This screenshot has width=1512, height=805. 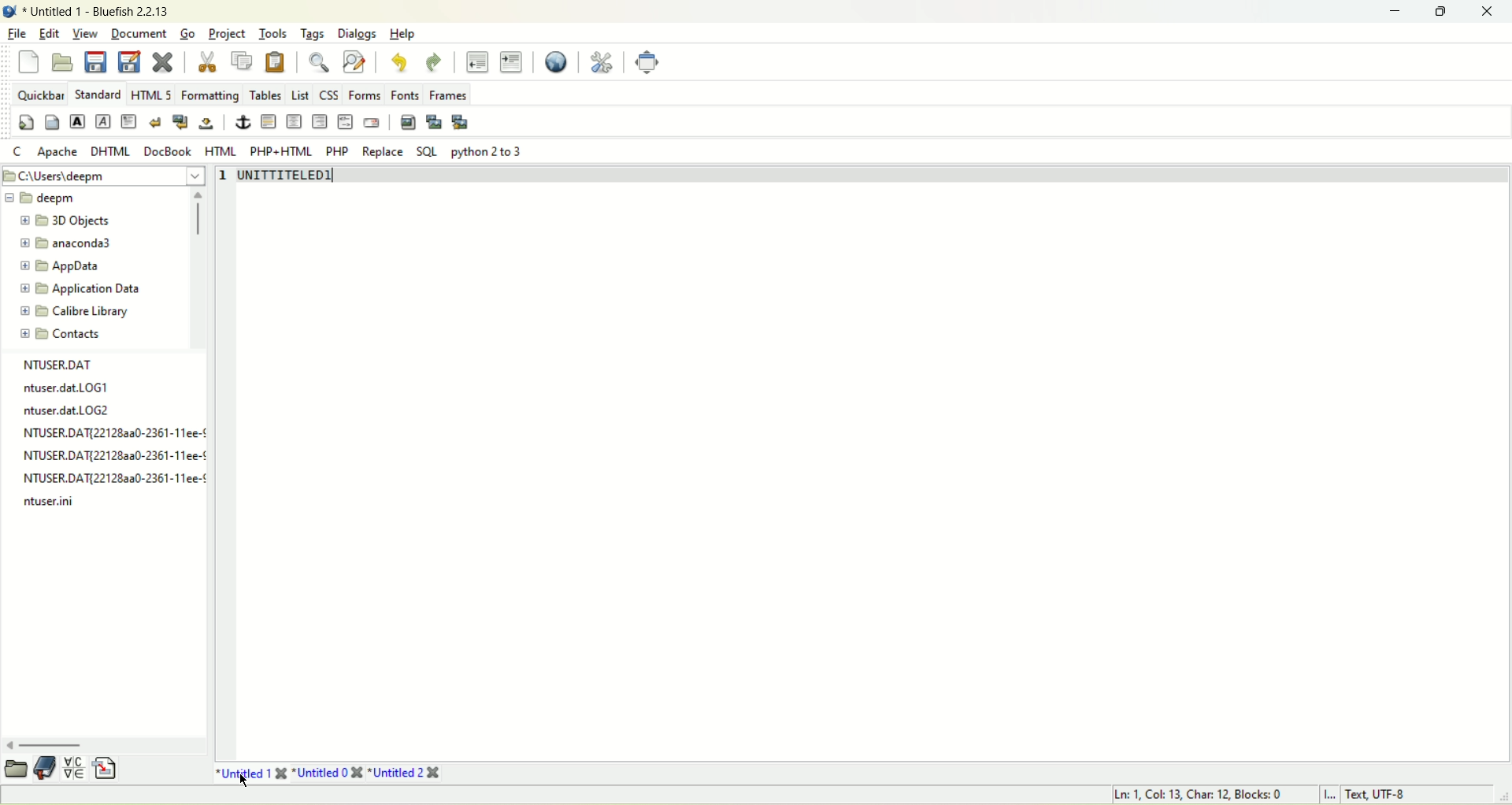 I want to click on maximize, so click(x=1442, y=12).